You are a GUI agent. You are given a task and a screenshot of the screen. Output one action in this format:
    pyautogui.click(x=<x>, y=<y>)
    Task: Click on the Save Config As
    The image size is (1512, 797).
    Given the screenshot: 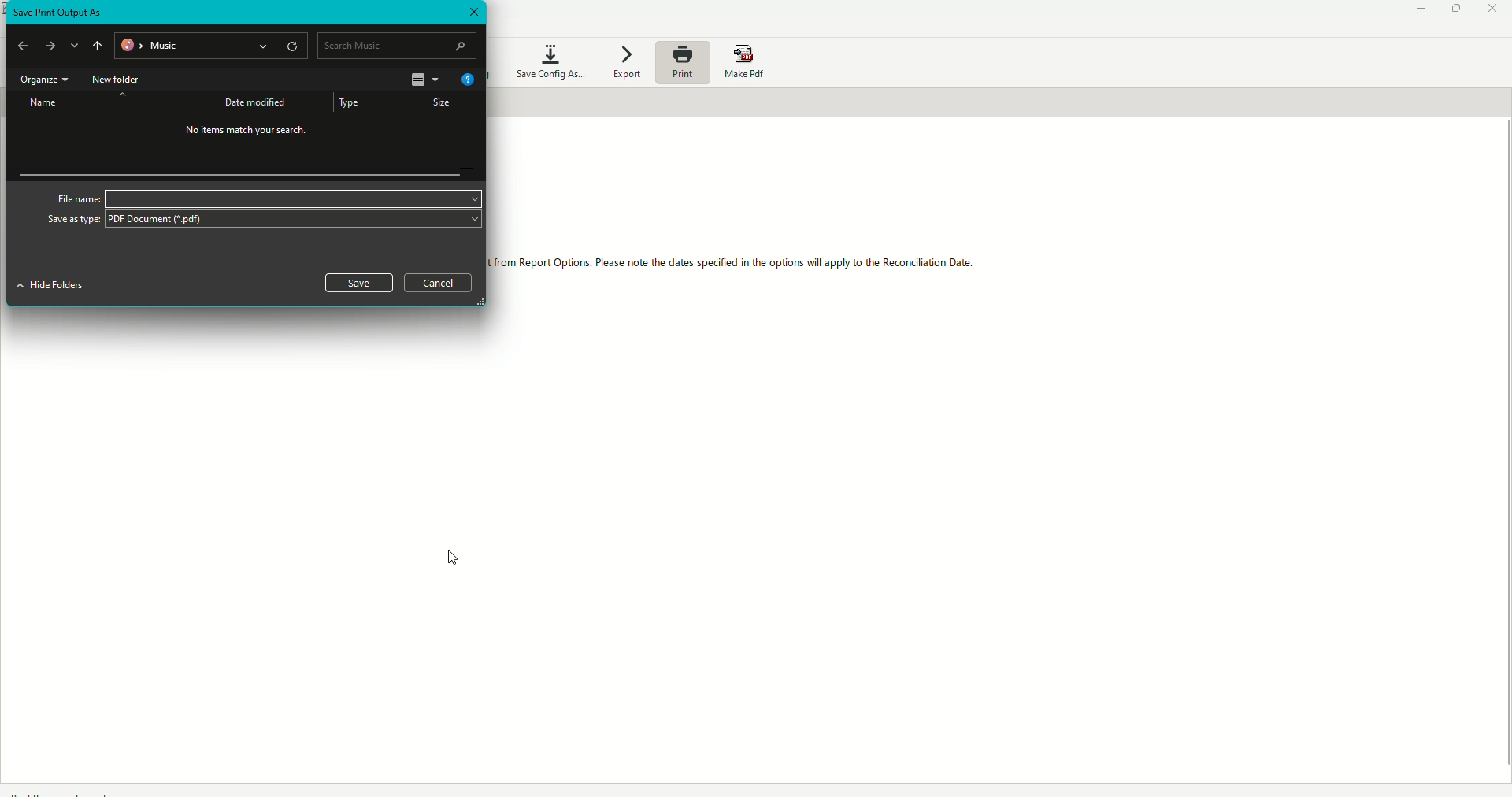 What is the action you would take?
    pyautogui.click(x=547, y=60)
    